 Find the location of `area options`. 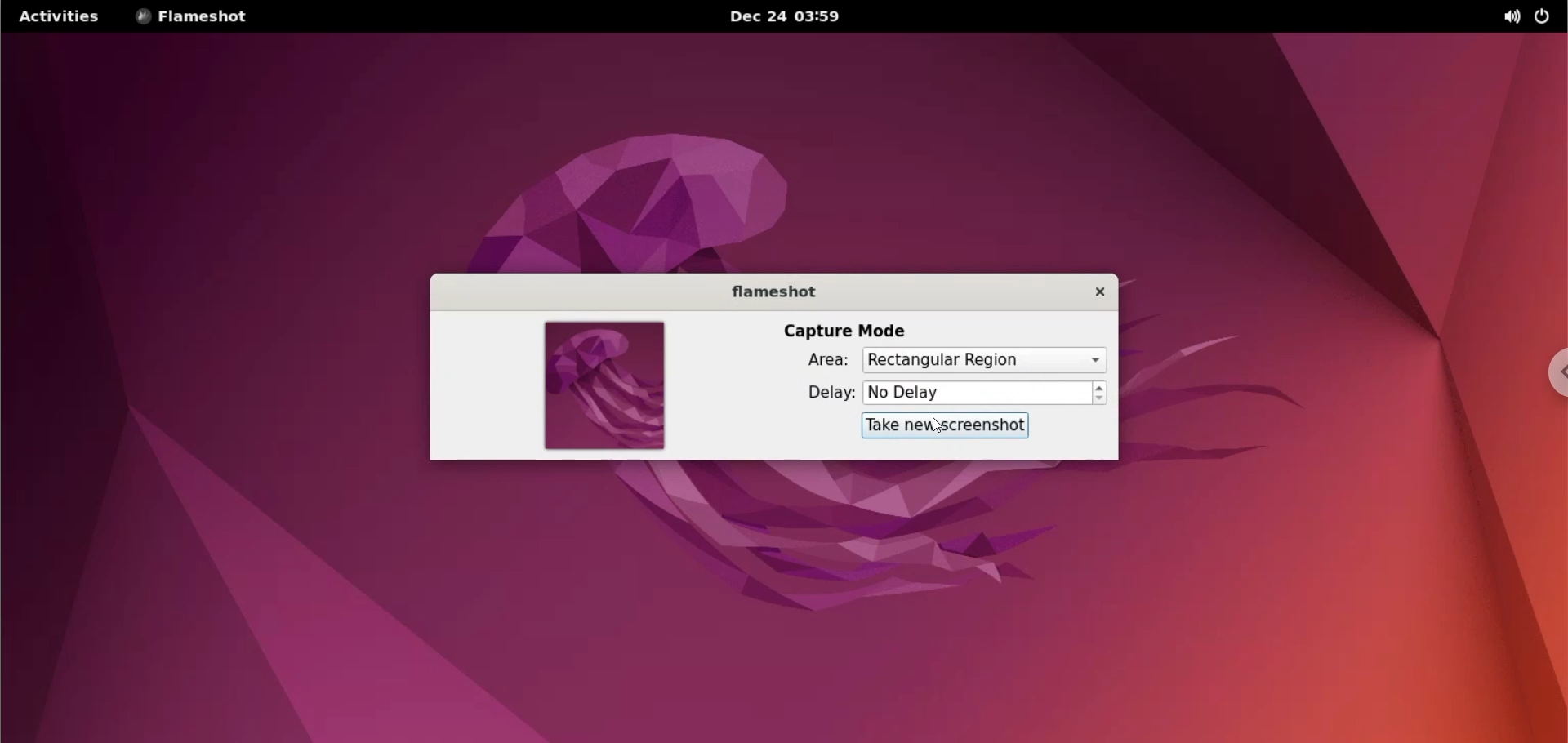

area options is located at coordinates (986, 359).